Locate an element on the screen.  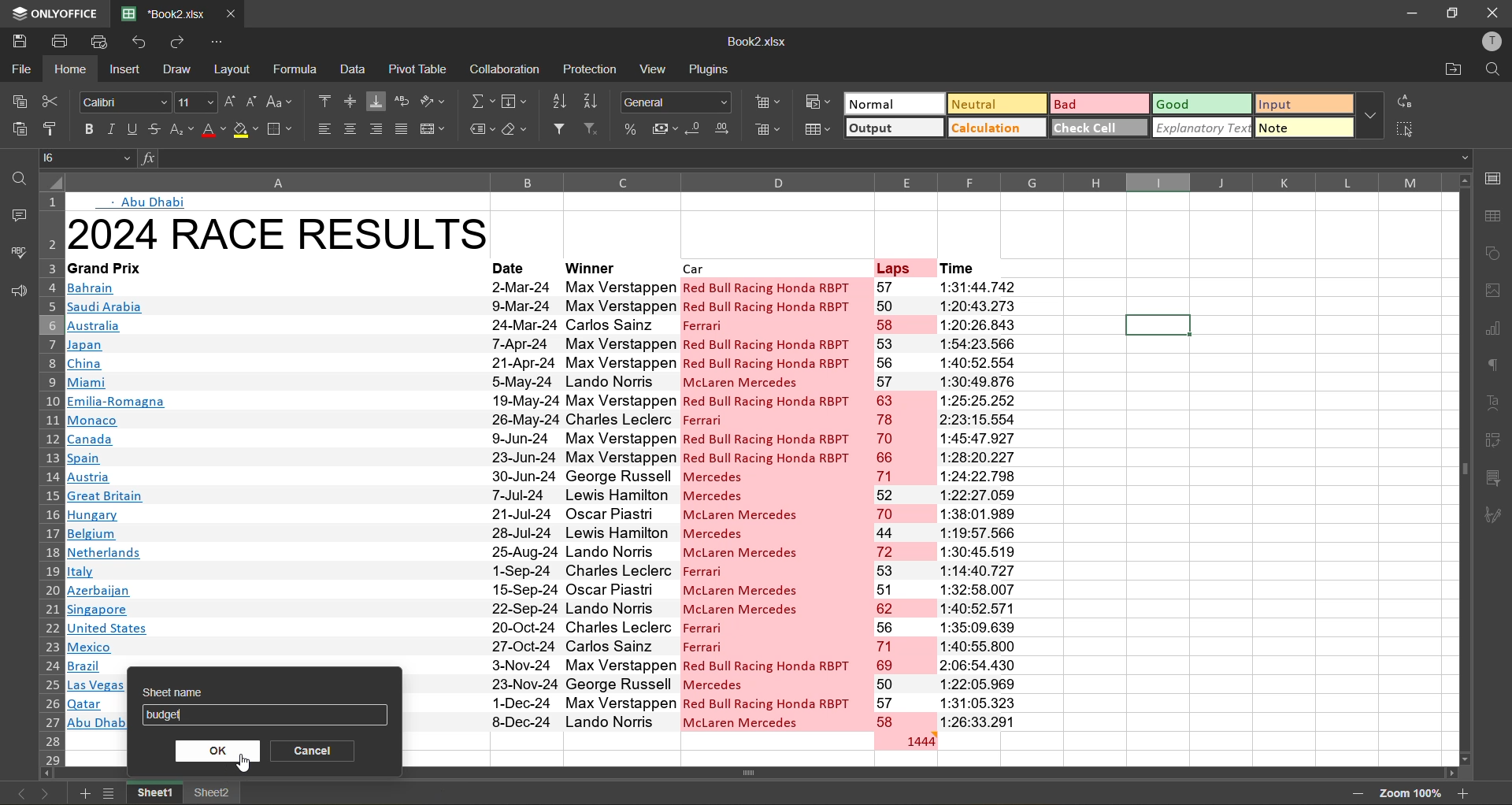
borders is located at coordinates (282, 128).